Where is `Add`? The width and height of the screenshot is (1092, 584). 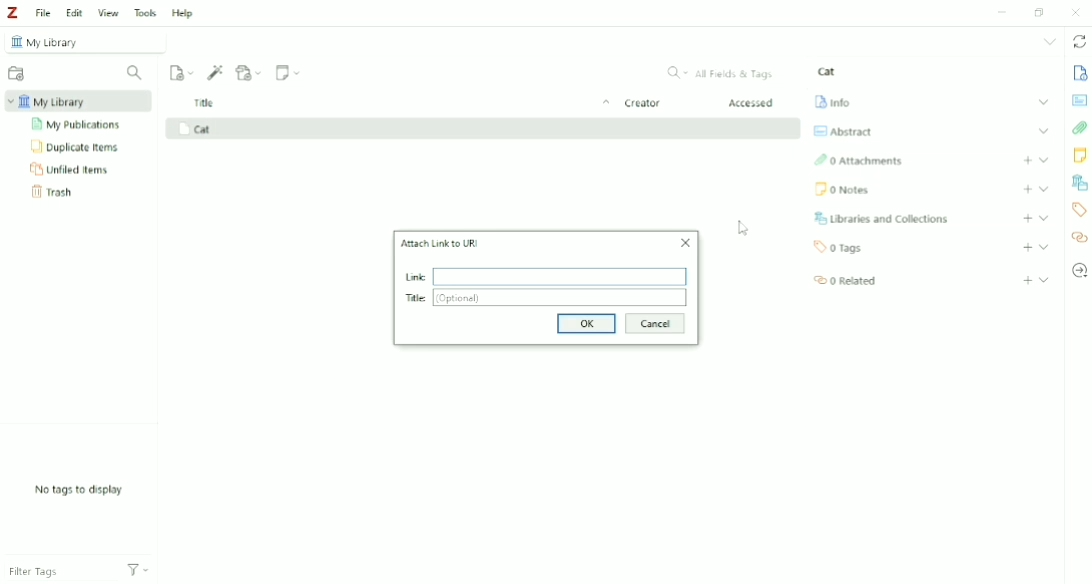
Add is located at coordinates (1028, 160).